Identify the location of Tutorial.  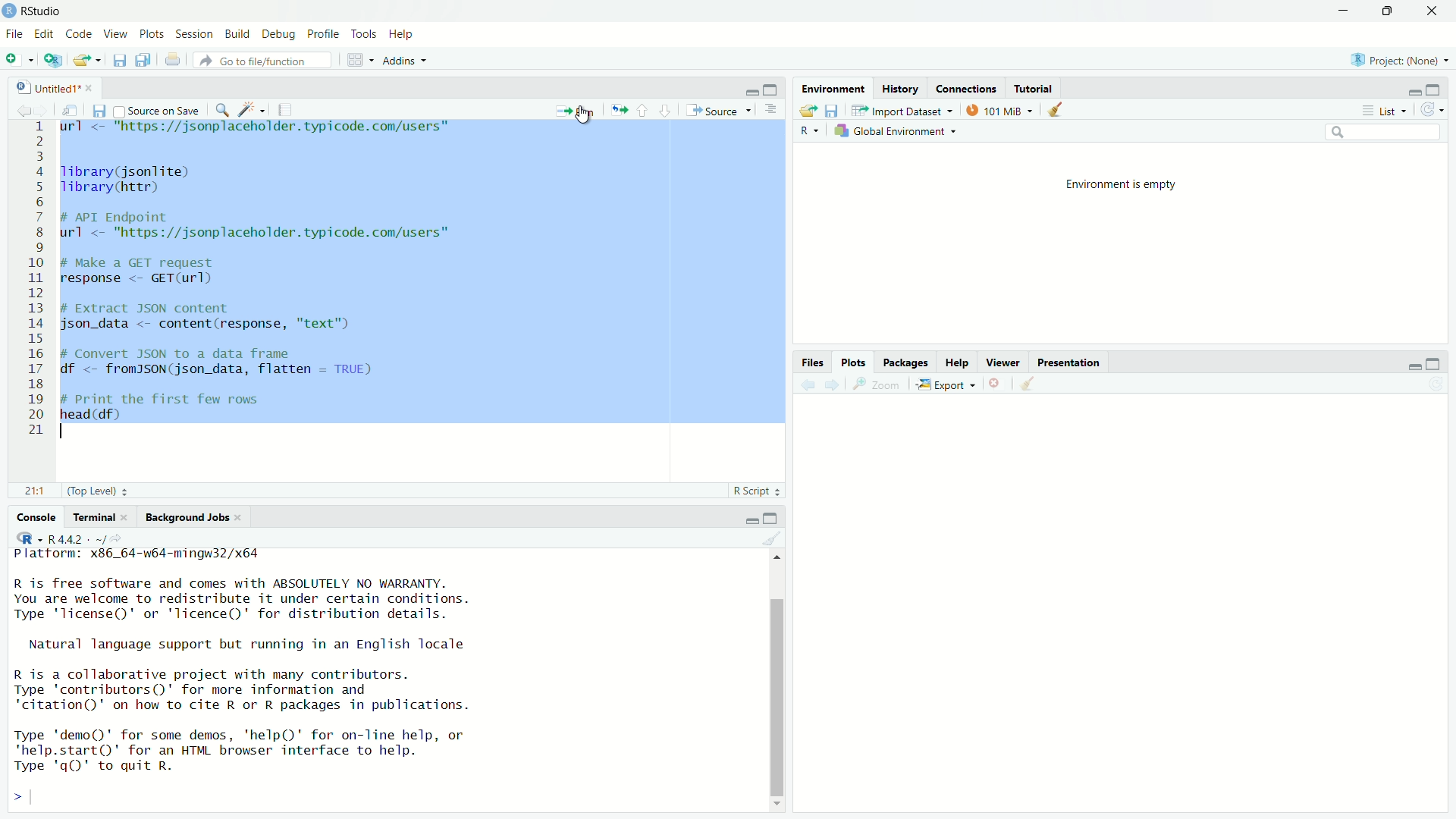
(1034, 88).